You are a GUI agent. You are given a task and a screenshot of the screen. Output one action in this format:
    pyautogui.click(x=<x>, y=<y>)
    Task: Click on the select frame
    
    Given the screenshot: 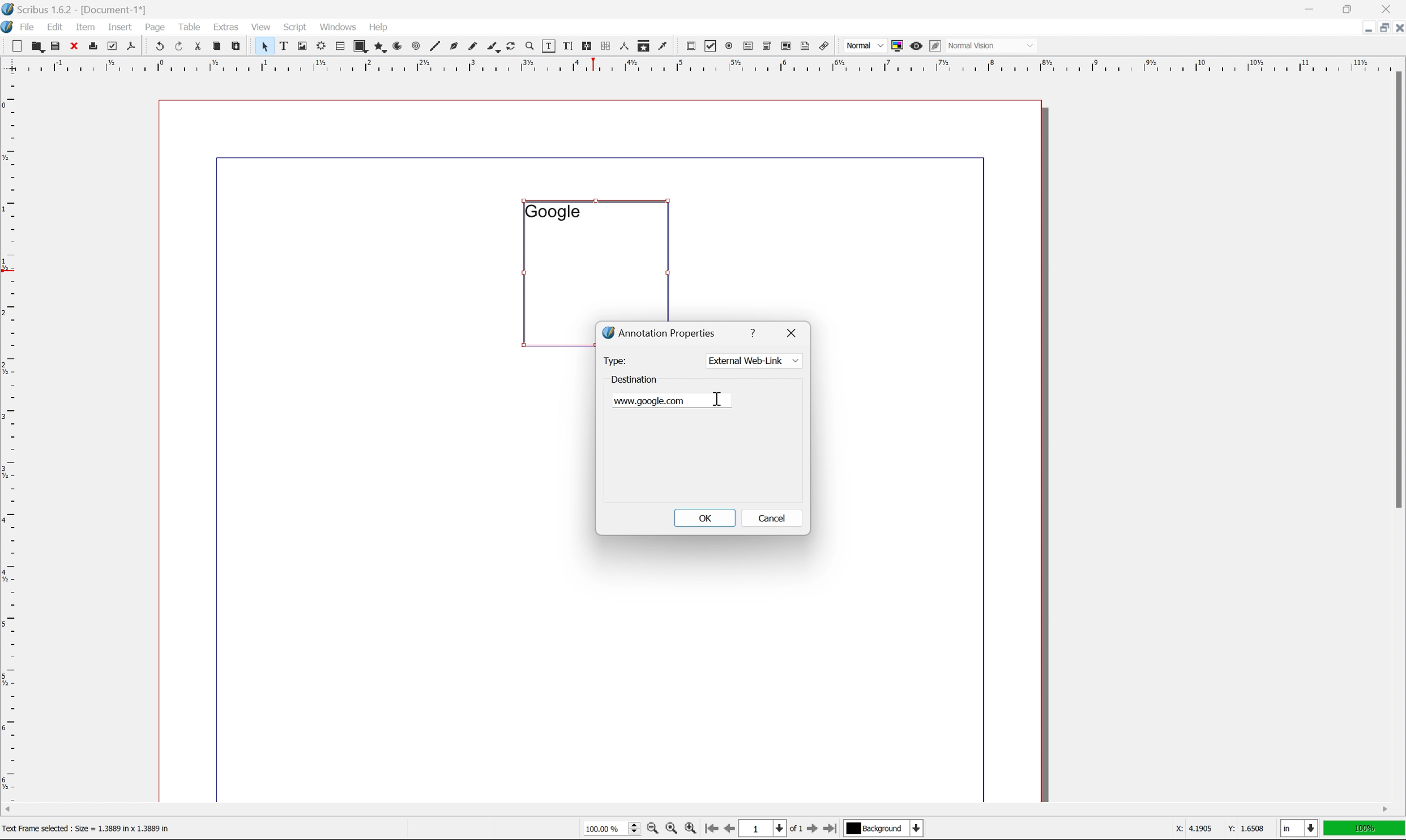 What is the action you would take?
    pyautogui.click(x=264, y=48)
    